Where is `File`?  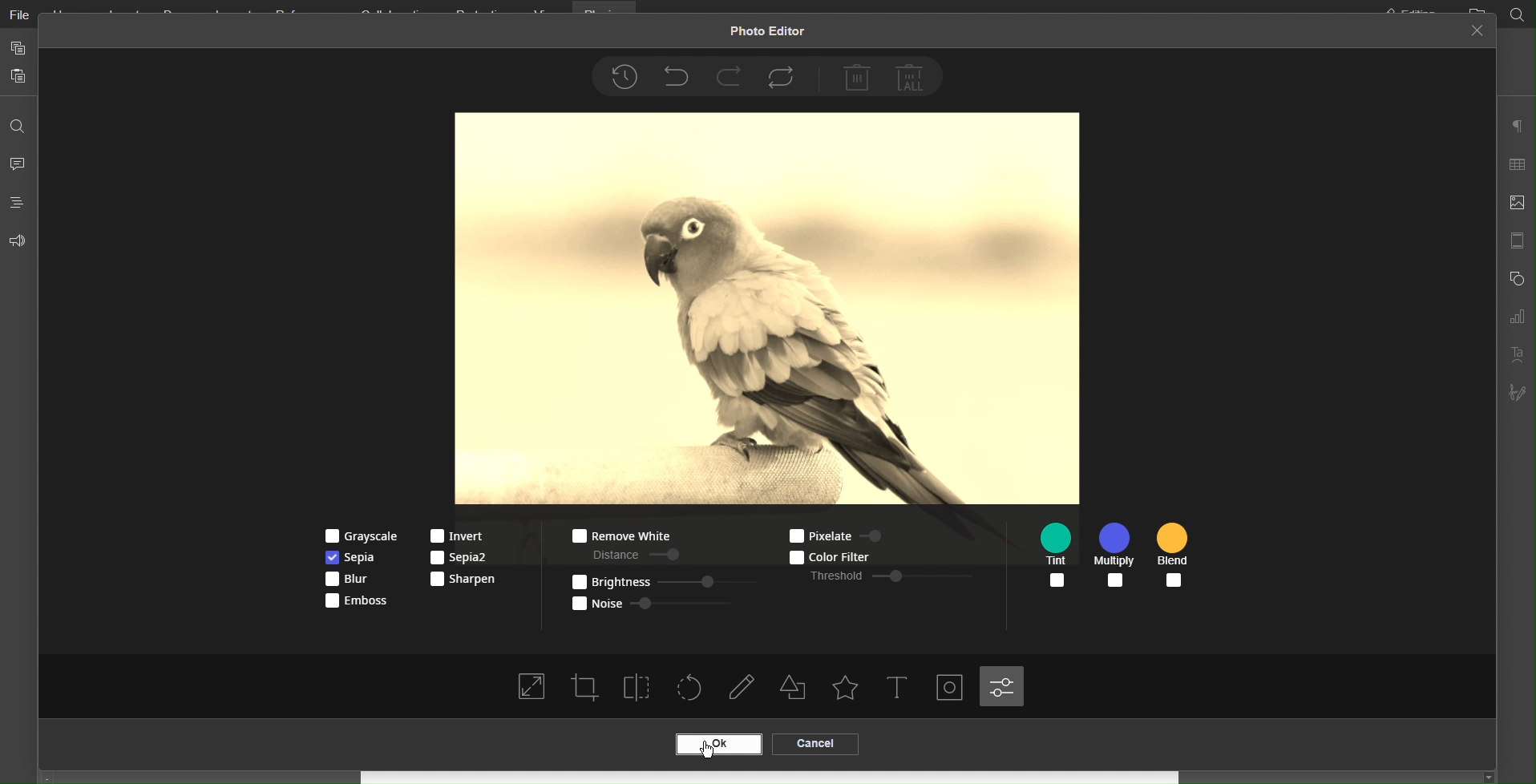 File is located at coordinates (18, 16).